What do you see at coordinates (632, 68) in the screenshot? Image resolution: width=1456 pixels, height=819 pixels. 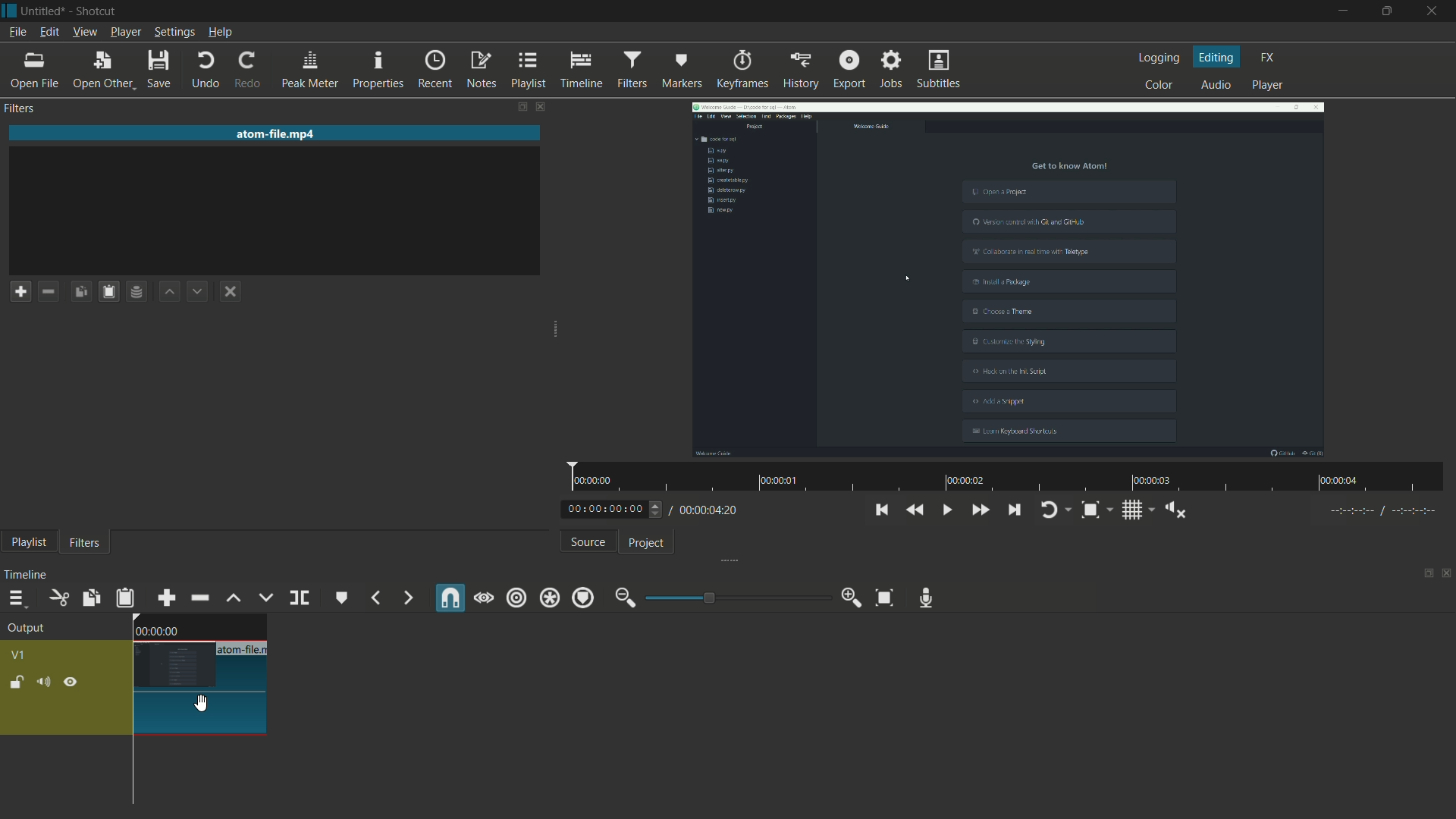 I see `filters` at bounding box center [632, 68].